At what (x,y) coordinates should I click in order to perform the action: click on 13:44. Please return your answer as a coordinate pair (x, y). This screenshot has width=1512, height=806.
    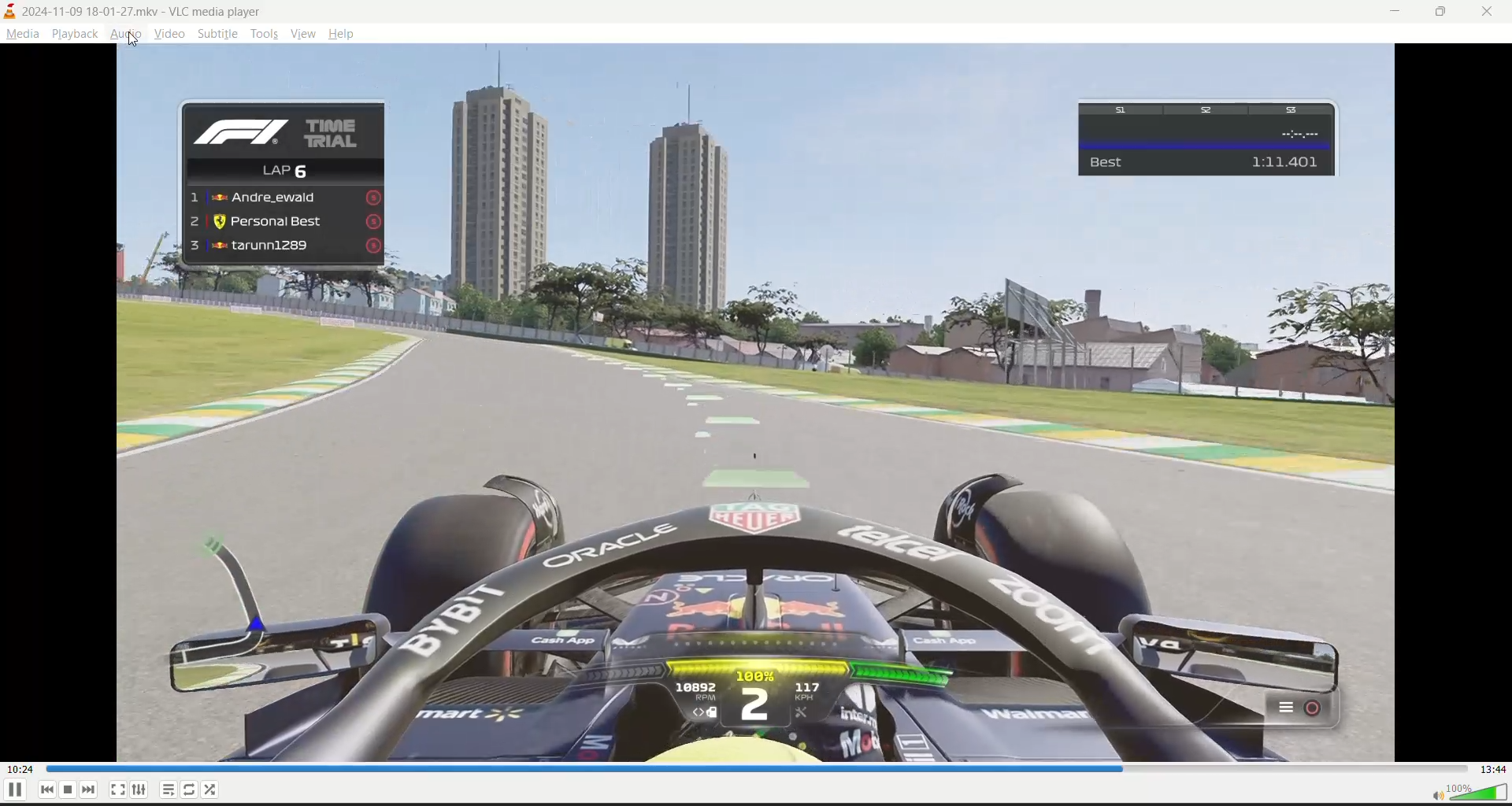
    Looking at the image, I should click on (1492, 769).